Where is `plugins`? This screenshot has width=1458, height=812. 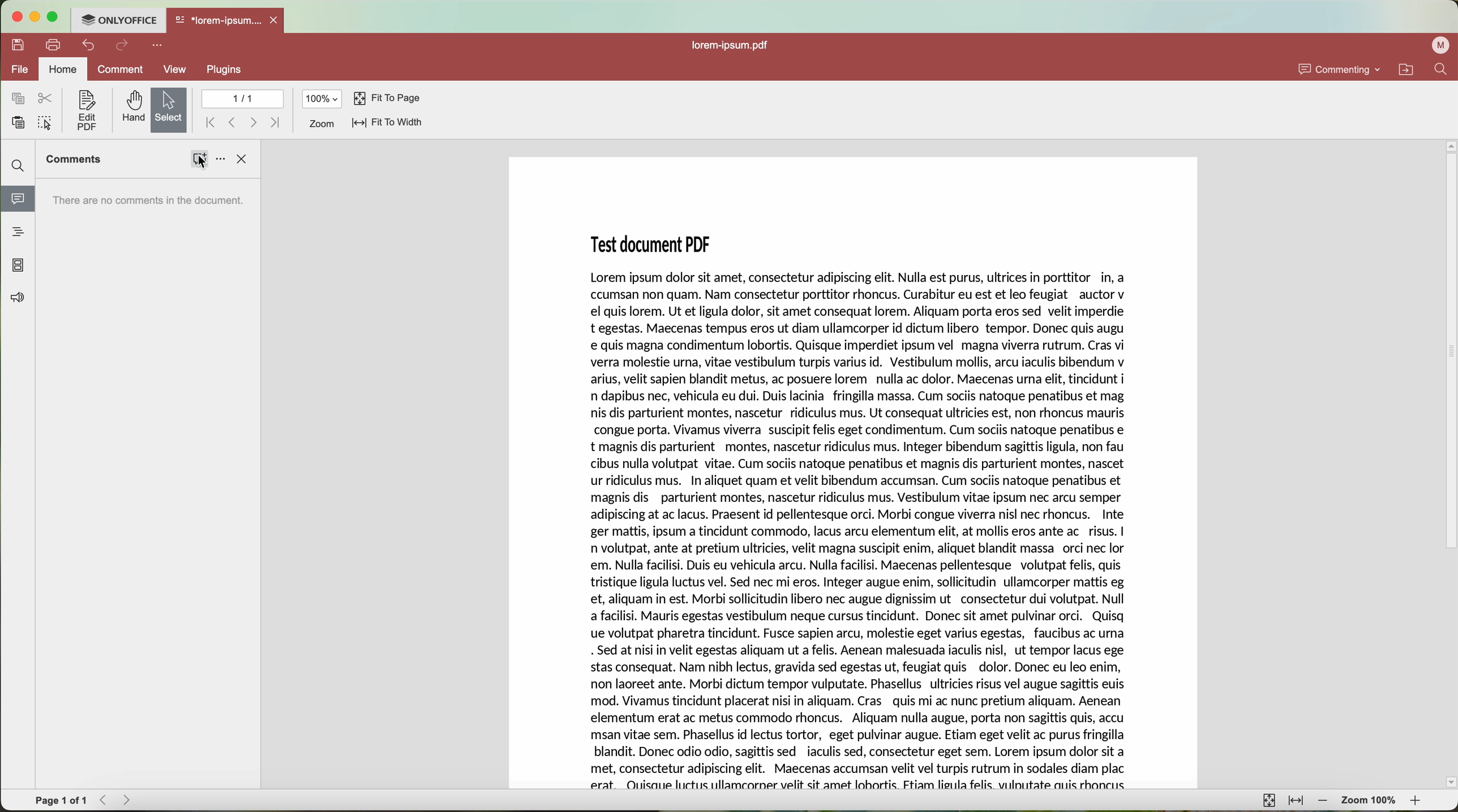 plugins is located at coordinates (223, 71).